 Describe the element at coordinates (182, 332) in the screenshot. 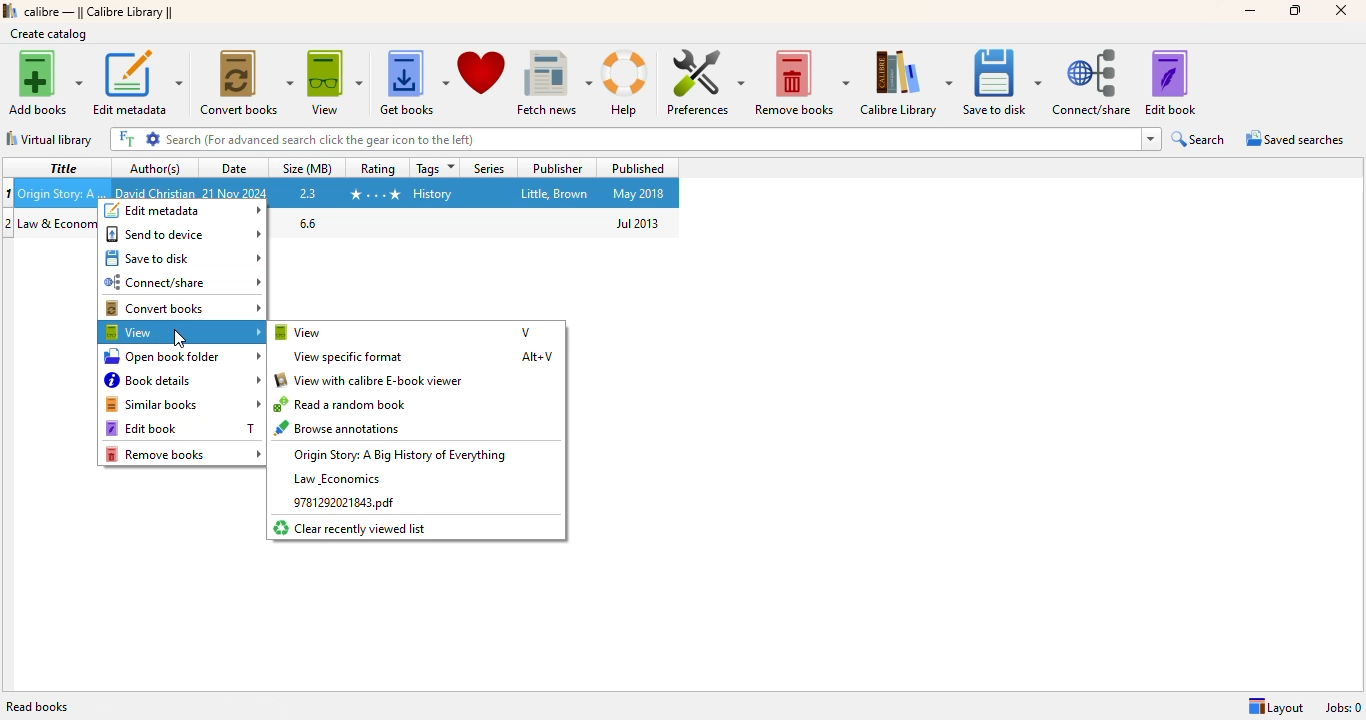

I see `view` at that location.